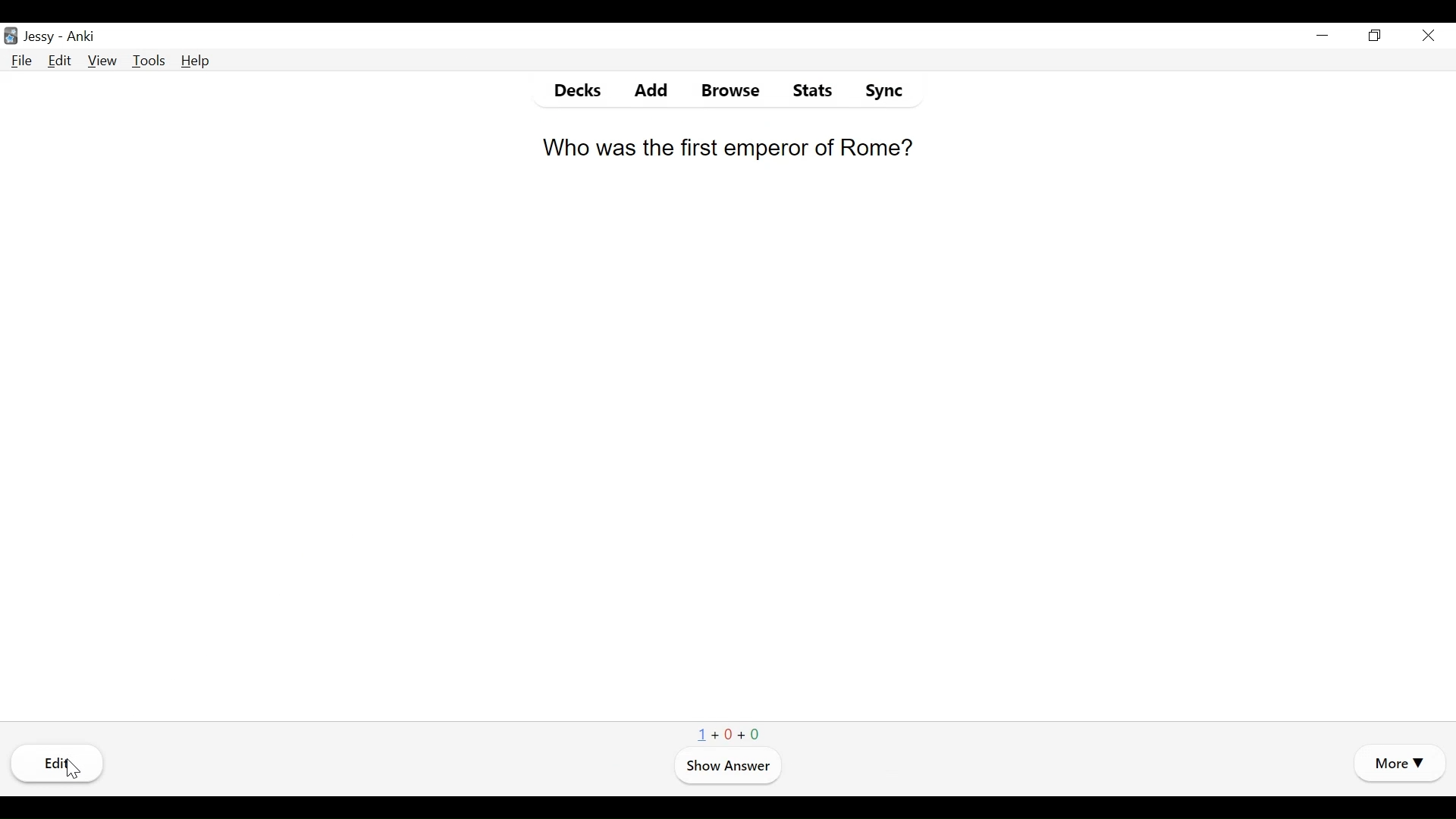 The image size is (1456, 819). I want to click on View, so click(101, 61).